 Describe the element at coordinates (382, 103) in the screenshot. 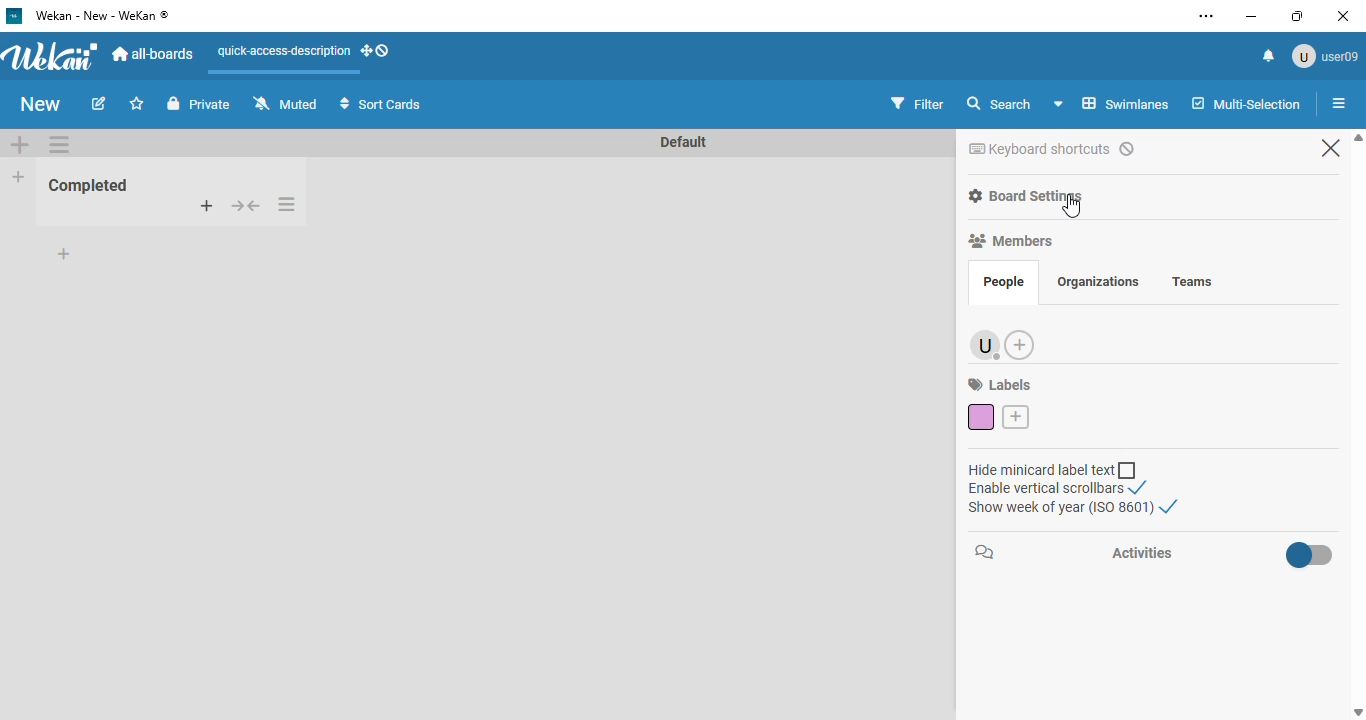

I see `sort cards` at that location.